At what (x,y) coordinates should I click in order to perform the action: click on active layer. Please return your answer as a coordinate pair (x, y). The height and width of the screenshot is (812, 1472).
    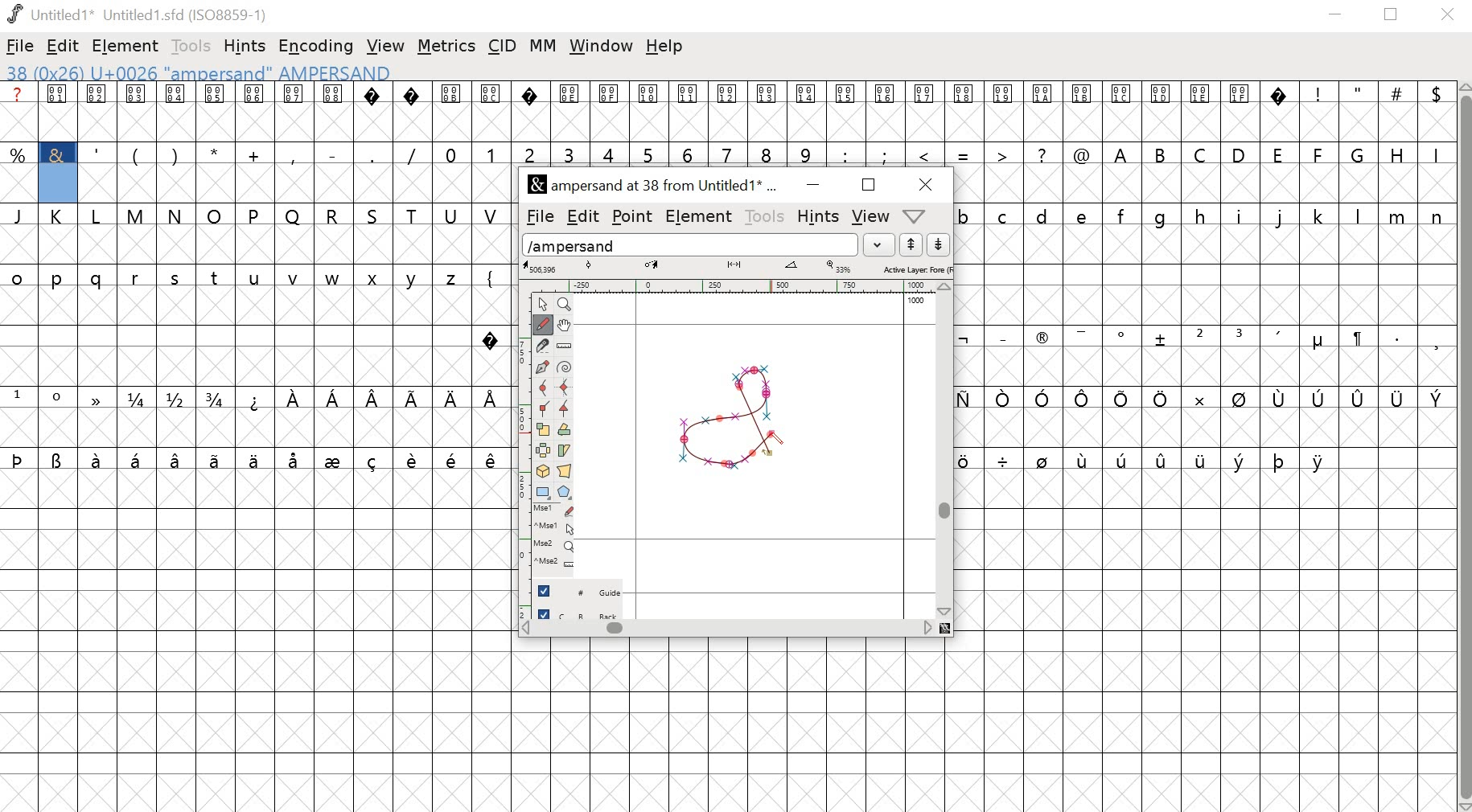
    Looking at the image, I should click on (916, 269).